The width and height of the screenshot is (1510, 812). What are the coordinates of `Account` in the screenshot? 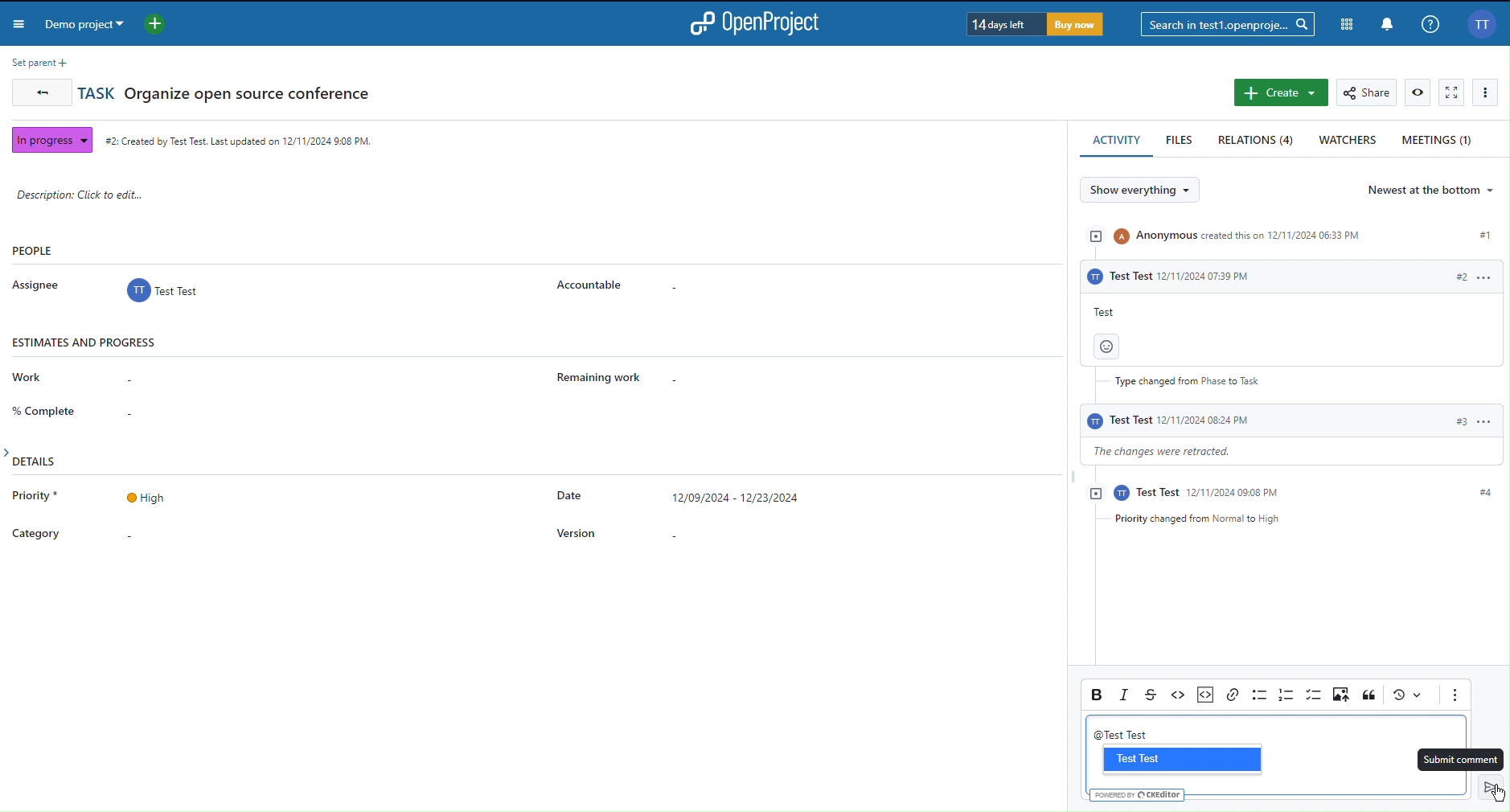 It's located at (1481, 24).